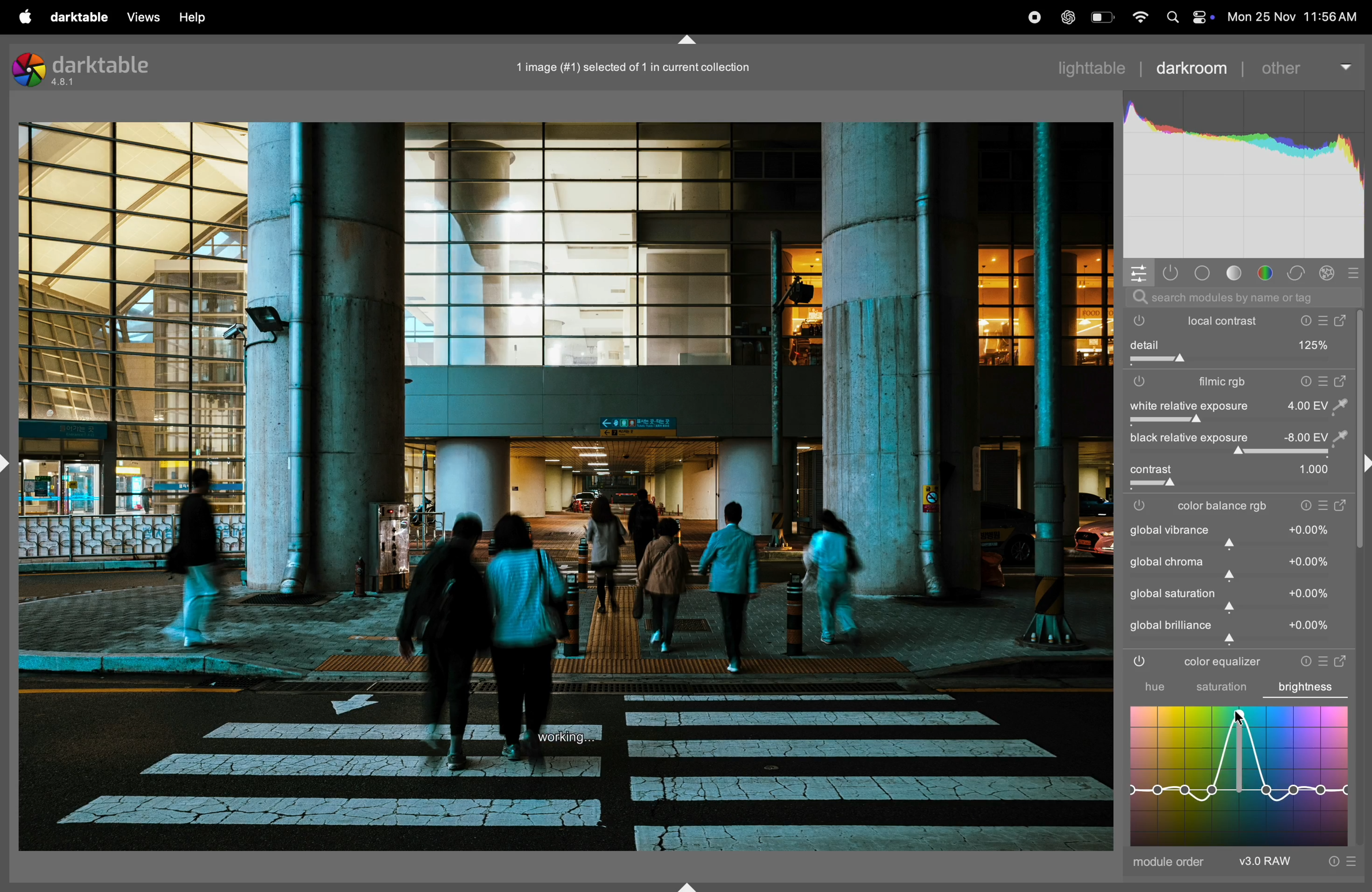 Image resolution: width=1372 pixels, height=892 pixels. I want to click on light table, so click(1092, 66).